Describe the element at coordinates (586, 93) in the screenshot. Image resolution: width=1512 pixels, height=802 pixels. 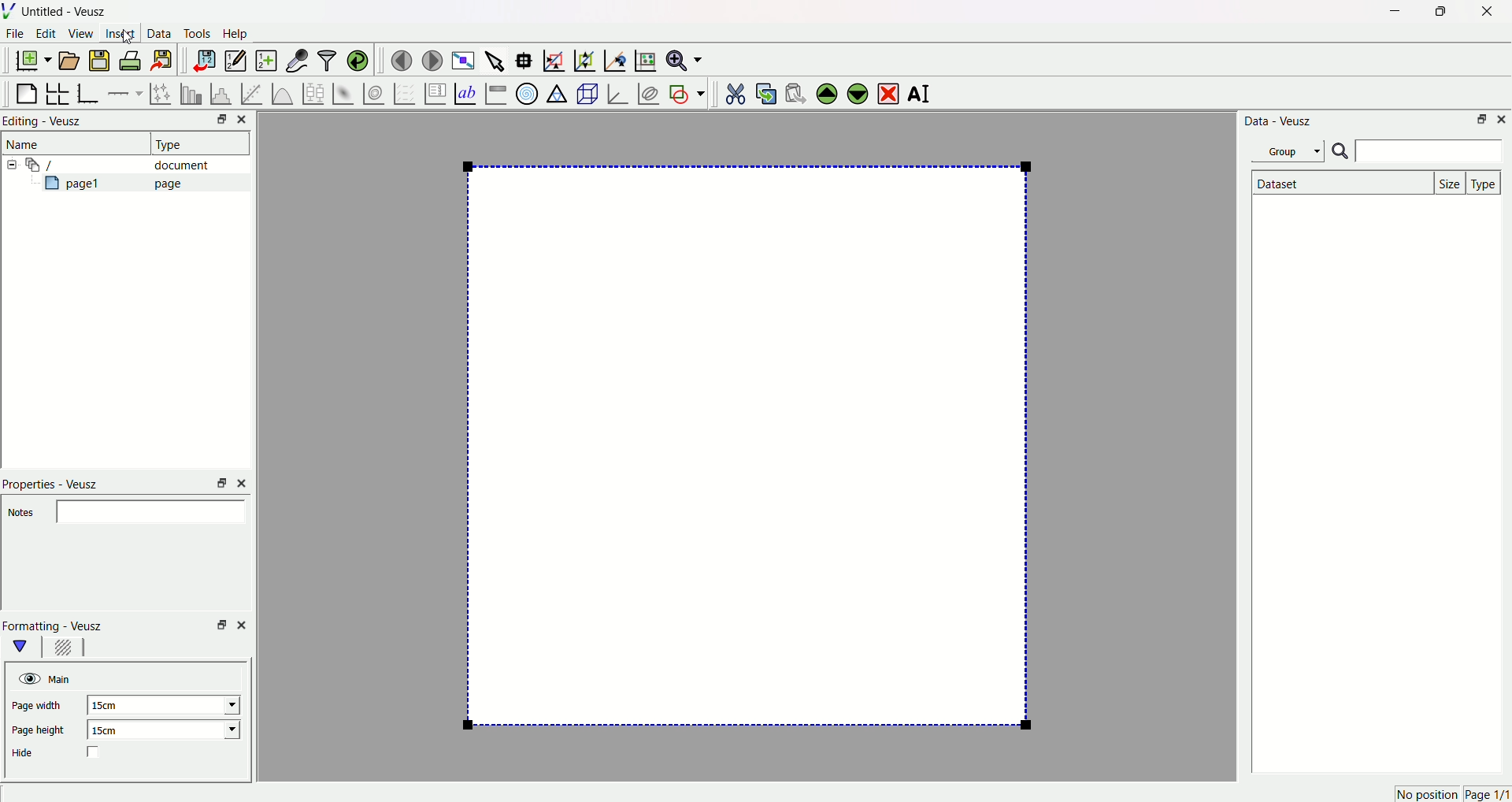
I see `3d scenes` at that location.